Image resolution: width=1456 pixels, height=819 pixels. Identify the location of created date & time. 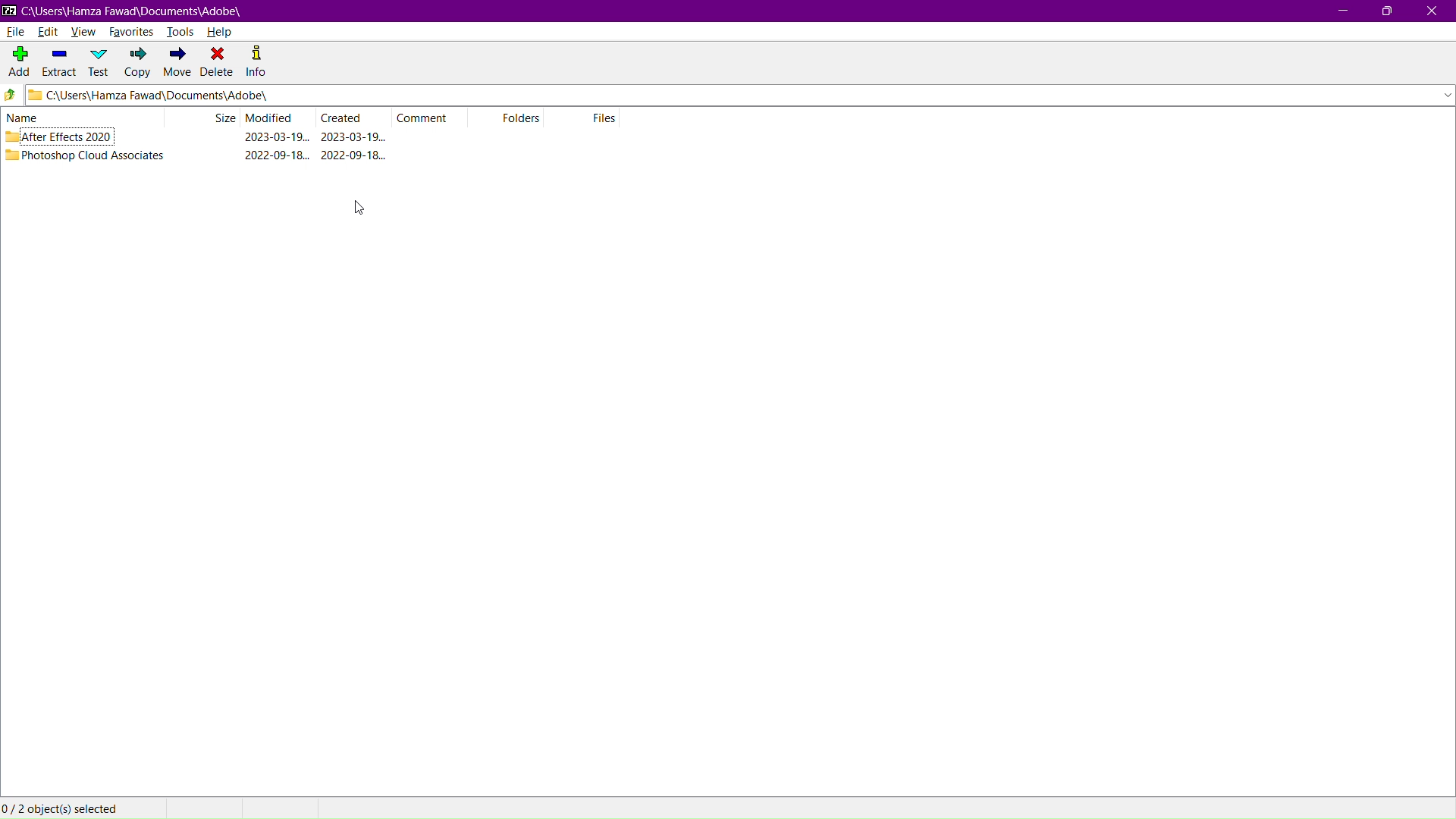
(354, 155).